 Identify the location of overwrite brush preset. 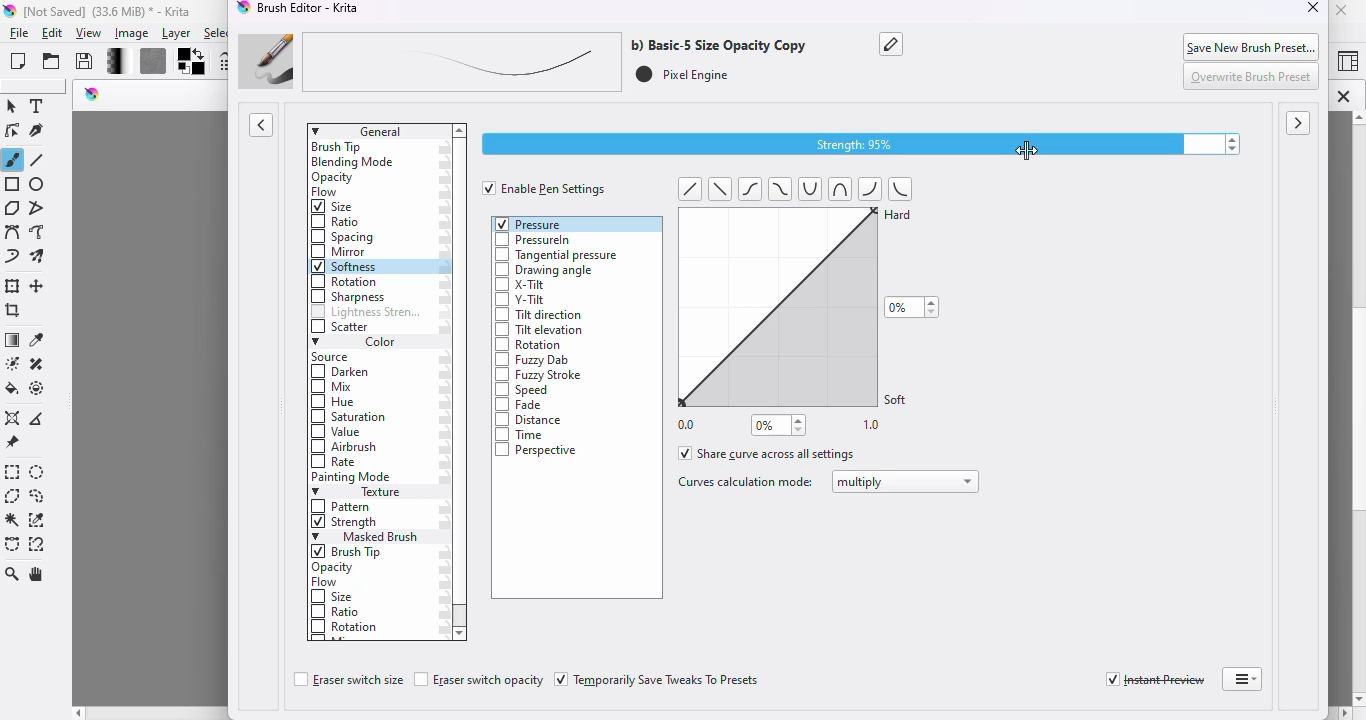
(1253, 77).